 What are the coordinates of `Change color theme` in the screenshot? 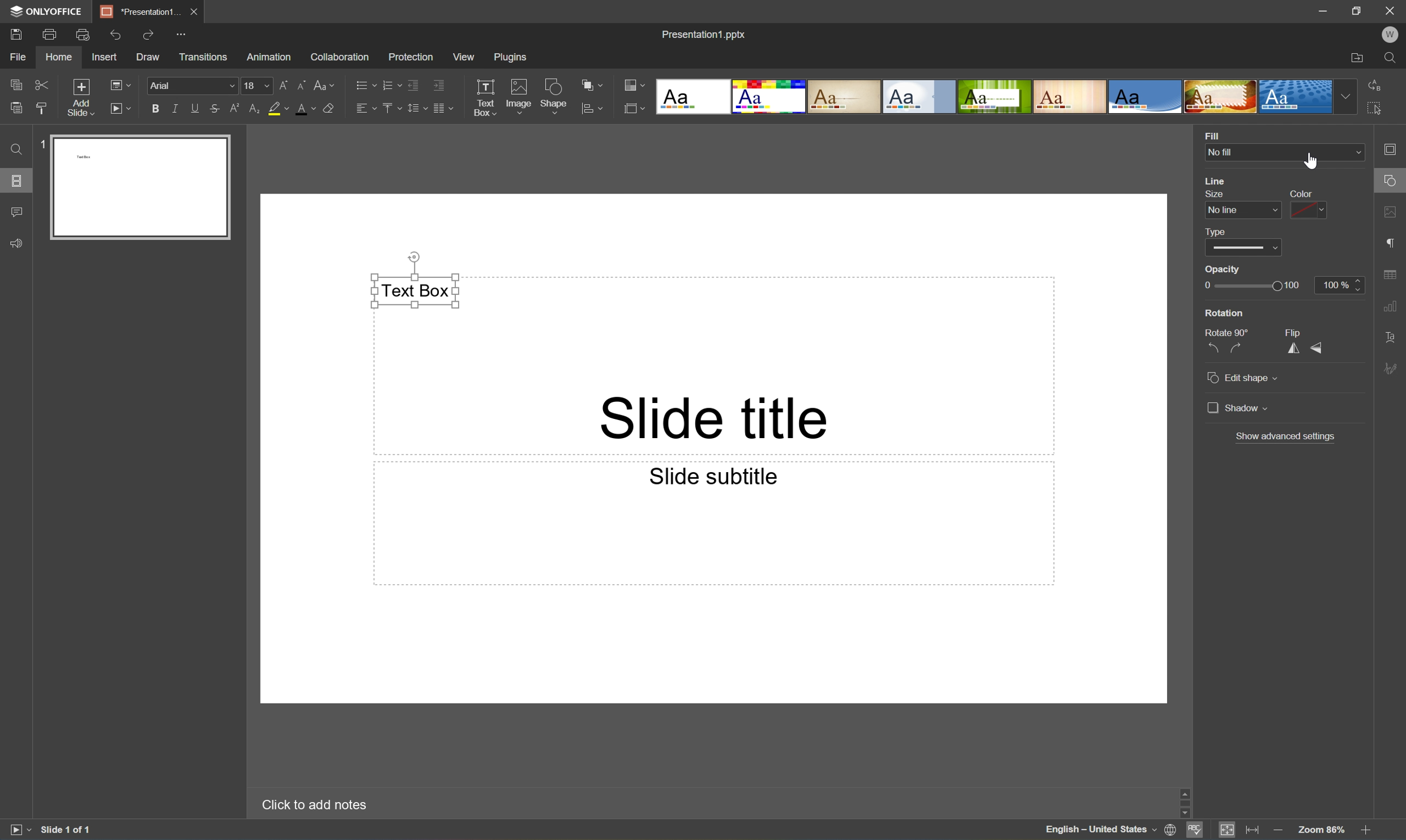 It's located at (632, 83).